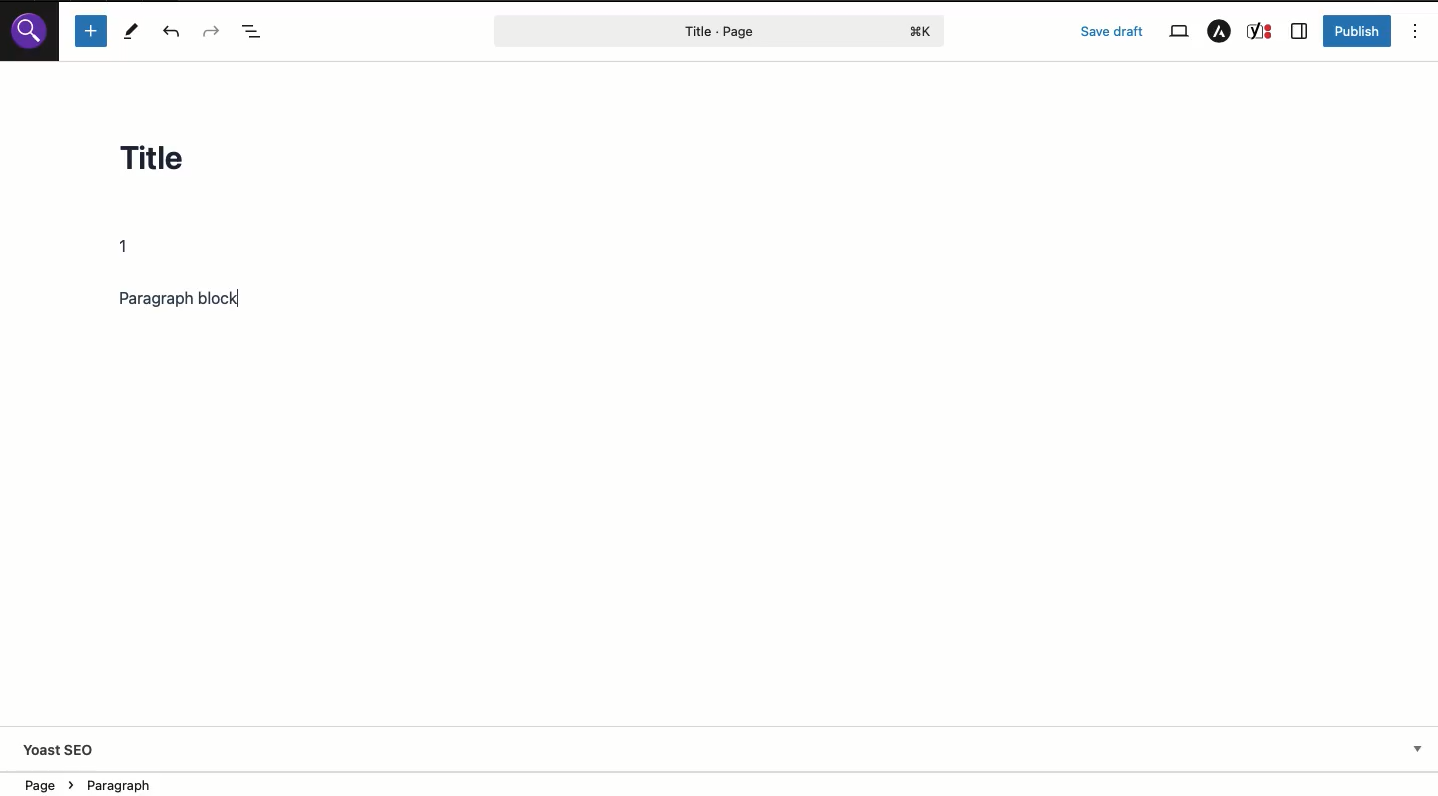 Image resolution: width=1438 pixels, height=796 pixels. I want to click on Tools, so click(132, 31).